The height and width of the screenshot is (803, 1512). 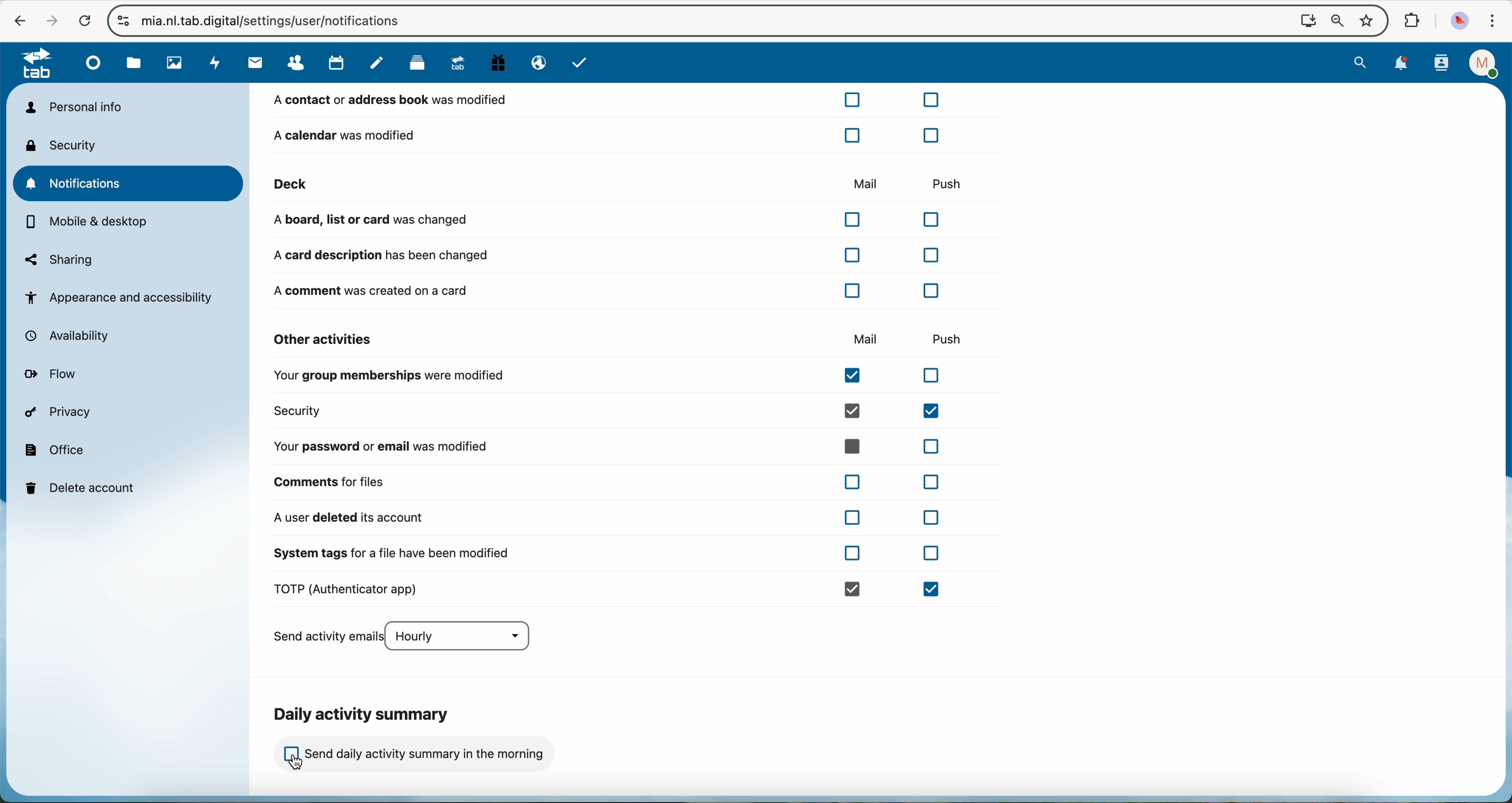 I want to click on other activities, so click(x=324, y=339).